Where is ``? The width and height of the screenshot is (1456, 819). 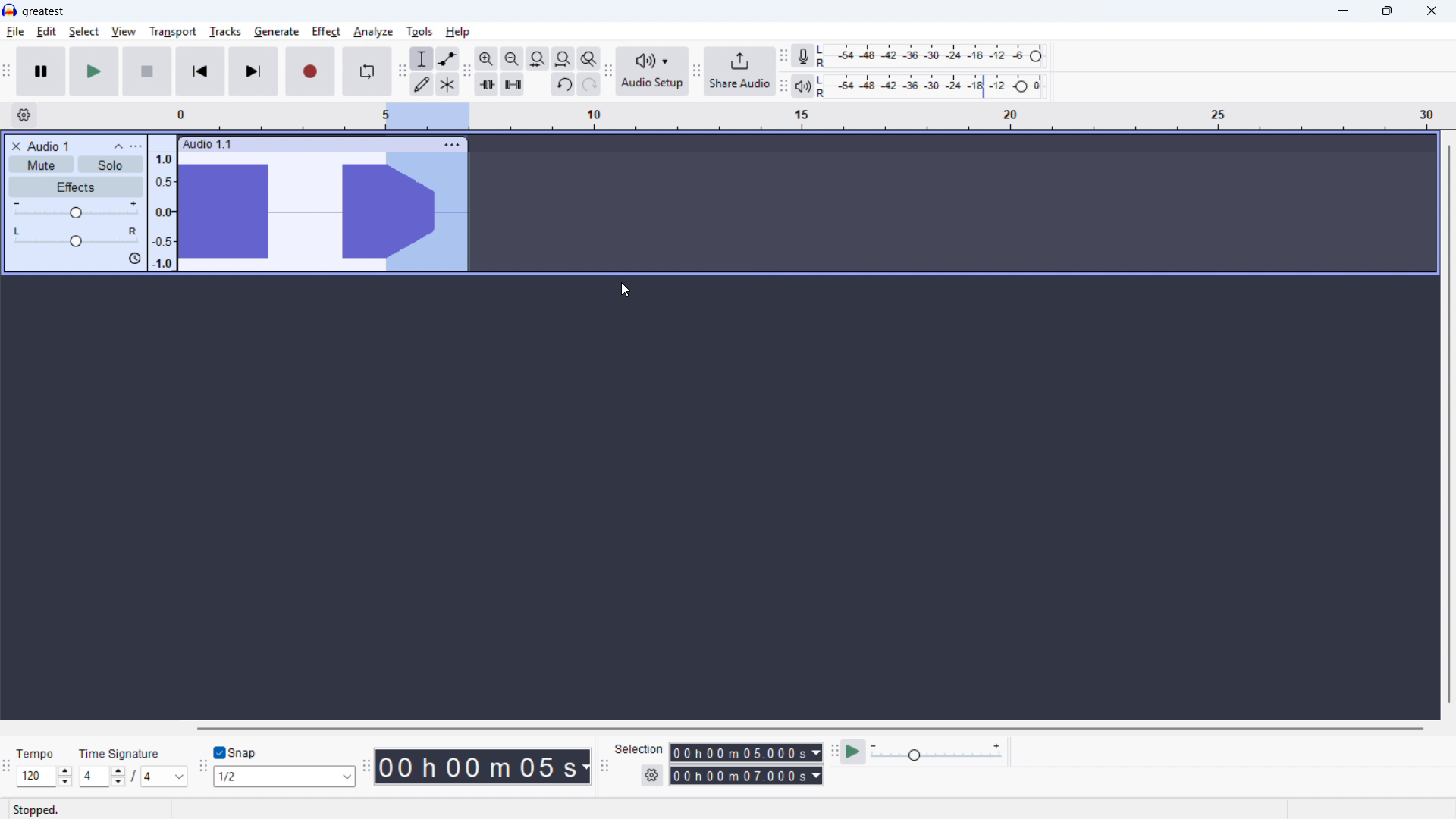
 is located at coordinates (35, 755).